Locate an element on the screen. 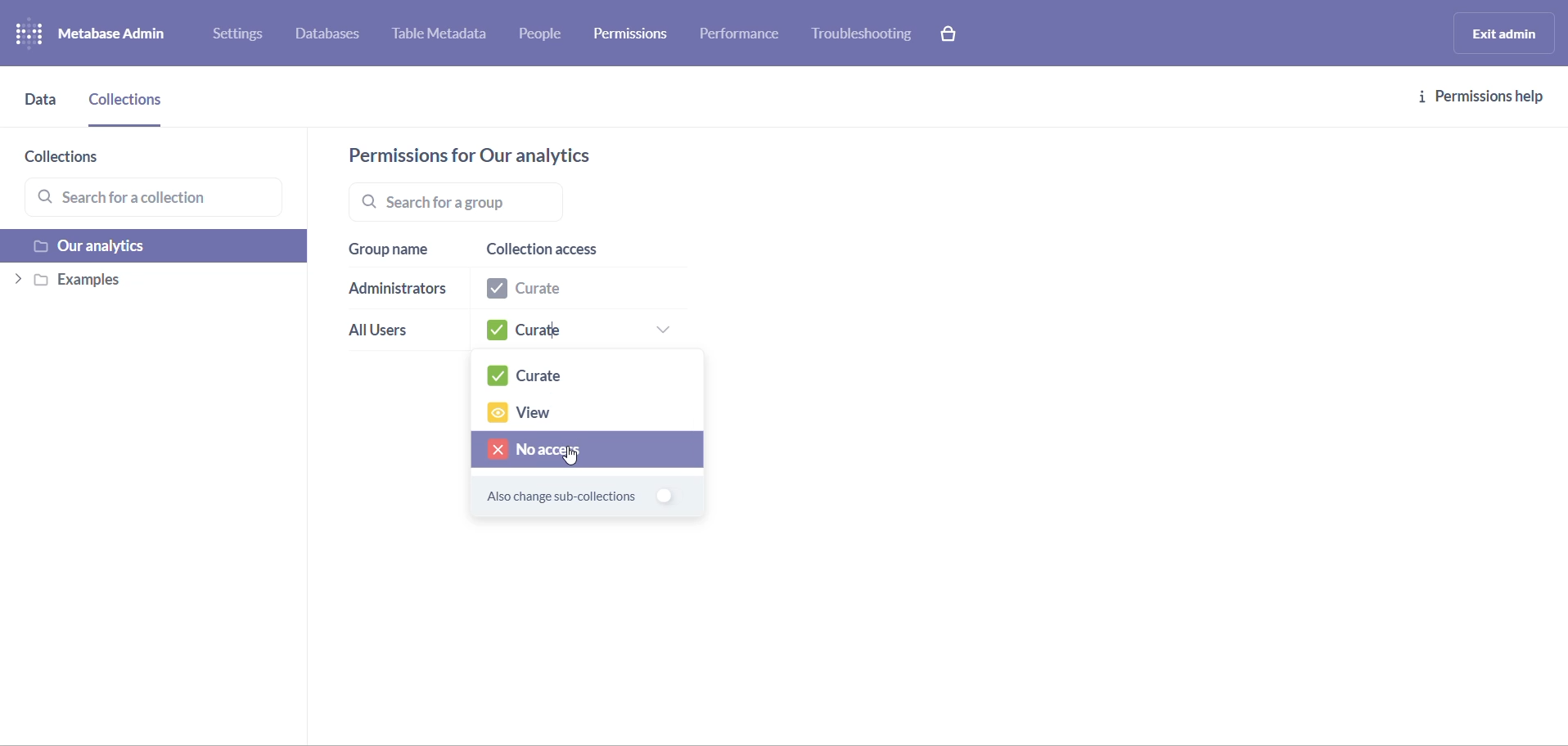  collections is located at coordinates (87, 159).